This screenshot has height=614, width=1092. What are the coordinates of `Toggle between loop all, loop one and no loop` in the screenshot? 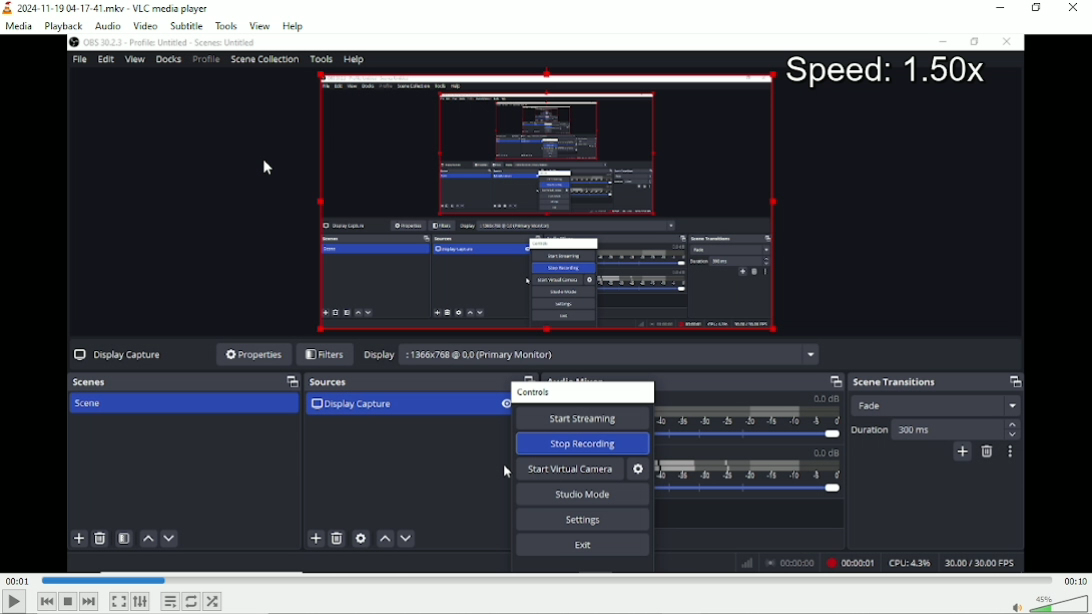 It's located at (191, 602).